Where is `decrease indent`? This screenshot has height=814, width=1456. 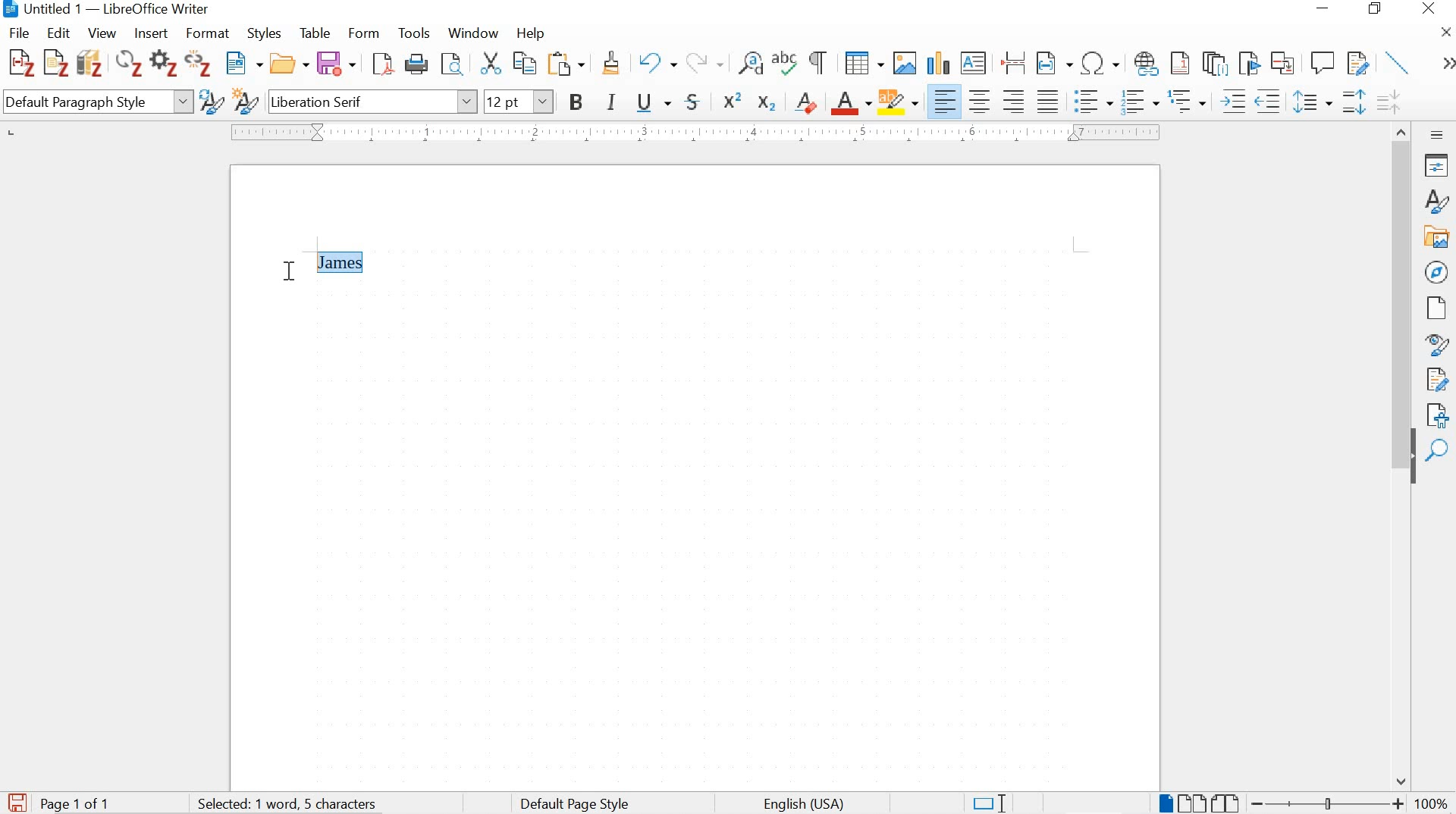 decrease indent is located at coordinates (1270, 101).